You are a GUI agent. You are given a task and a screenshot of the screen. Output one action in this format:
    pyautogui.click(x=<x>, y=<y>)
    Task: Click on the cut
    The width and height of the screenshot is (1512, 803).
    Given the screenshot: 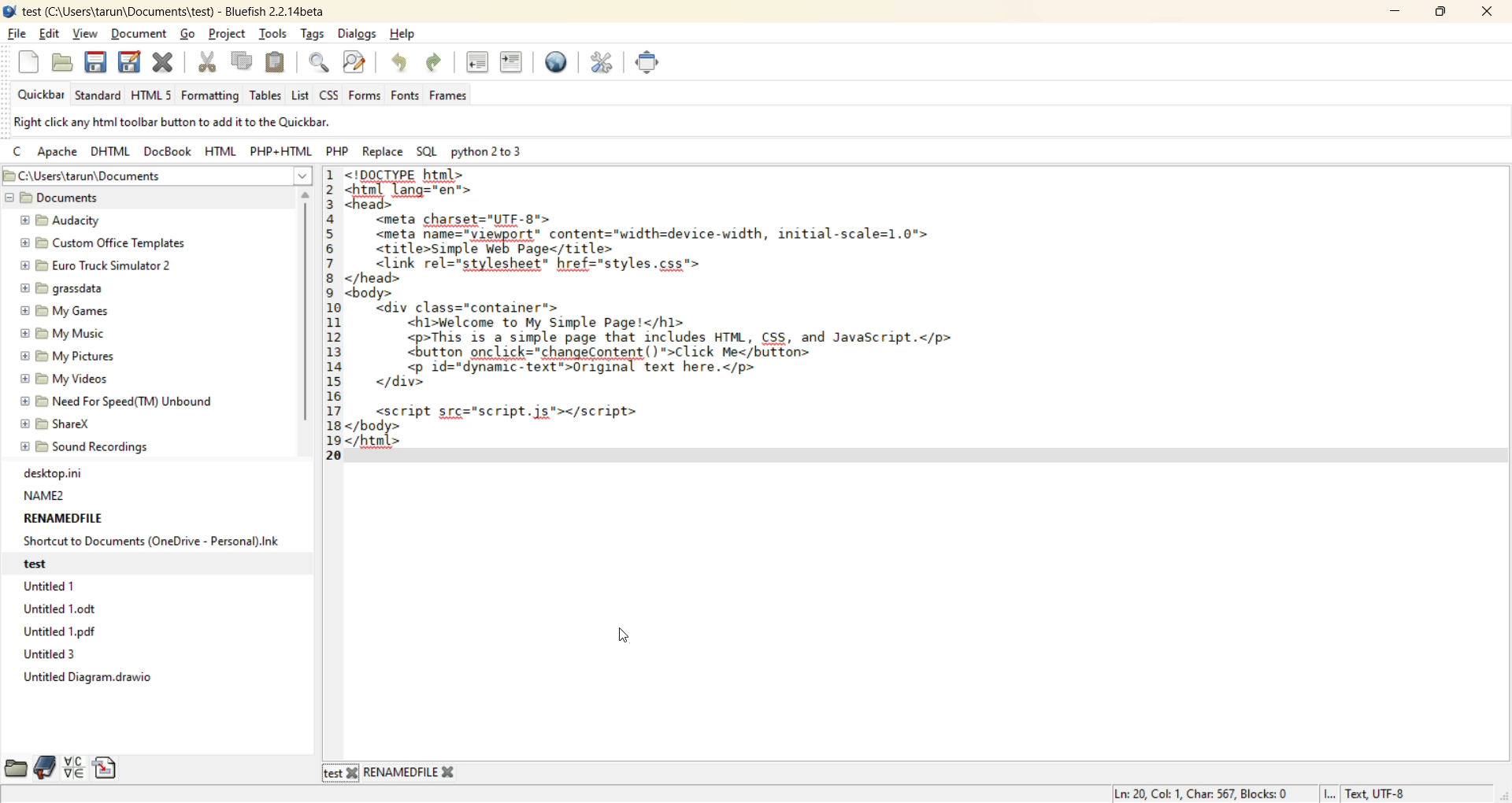 What is the action you would take?
    pyautogui.click(x=207, y=64)
    